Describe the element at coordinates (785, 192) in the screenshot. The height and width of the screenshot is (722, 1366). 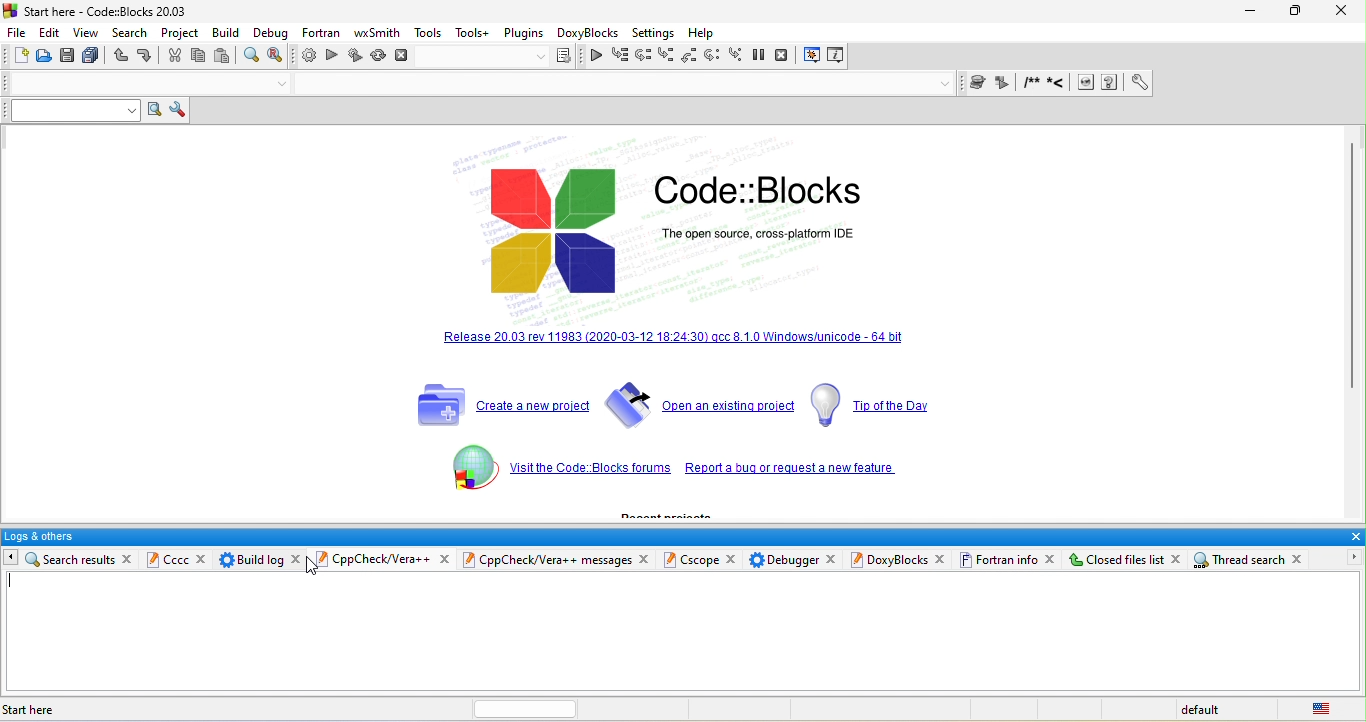
I see `code blocks ` at that location.